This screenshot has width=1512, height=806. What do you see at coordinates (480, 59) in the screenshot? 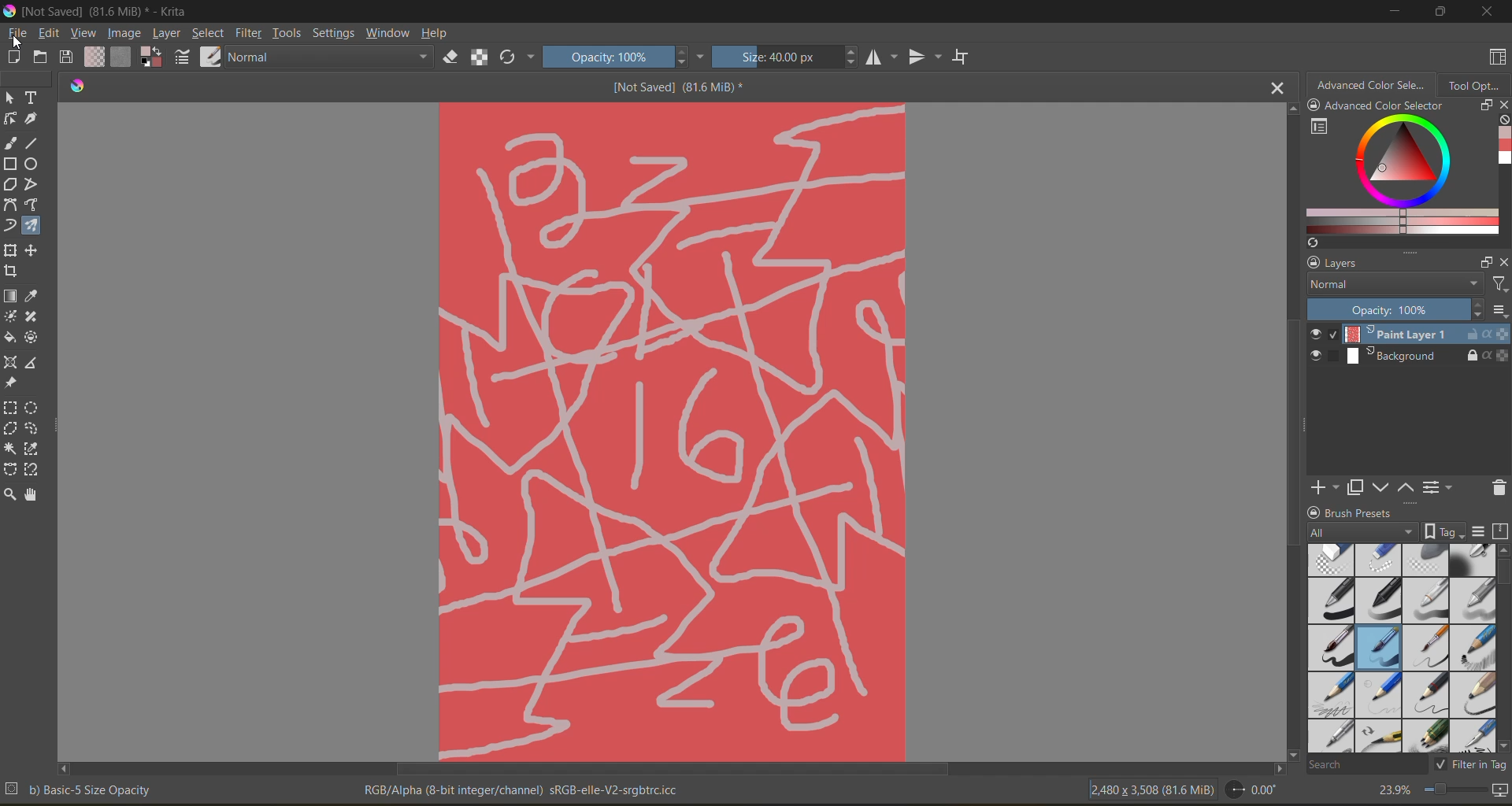
I see `preserve alpha` at bounding box center [480, 59].